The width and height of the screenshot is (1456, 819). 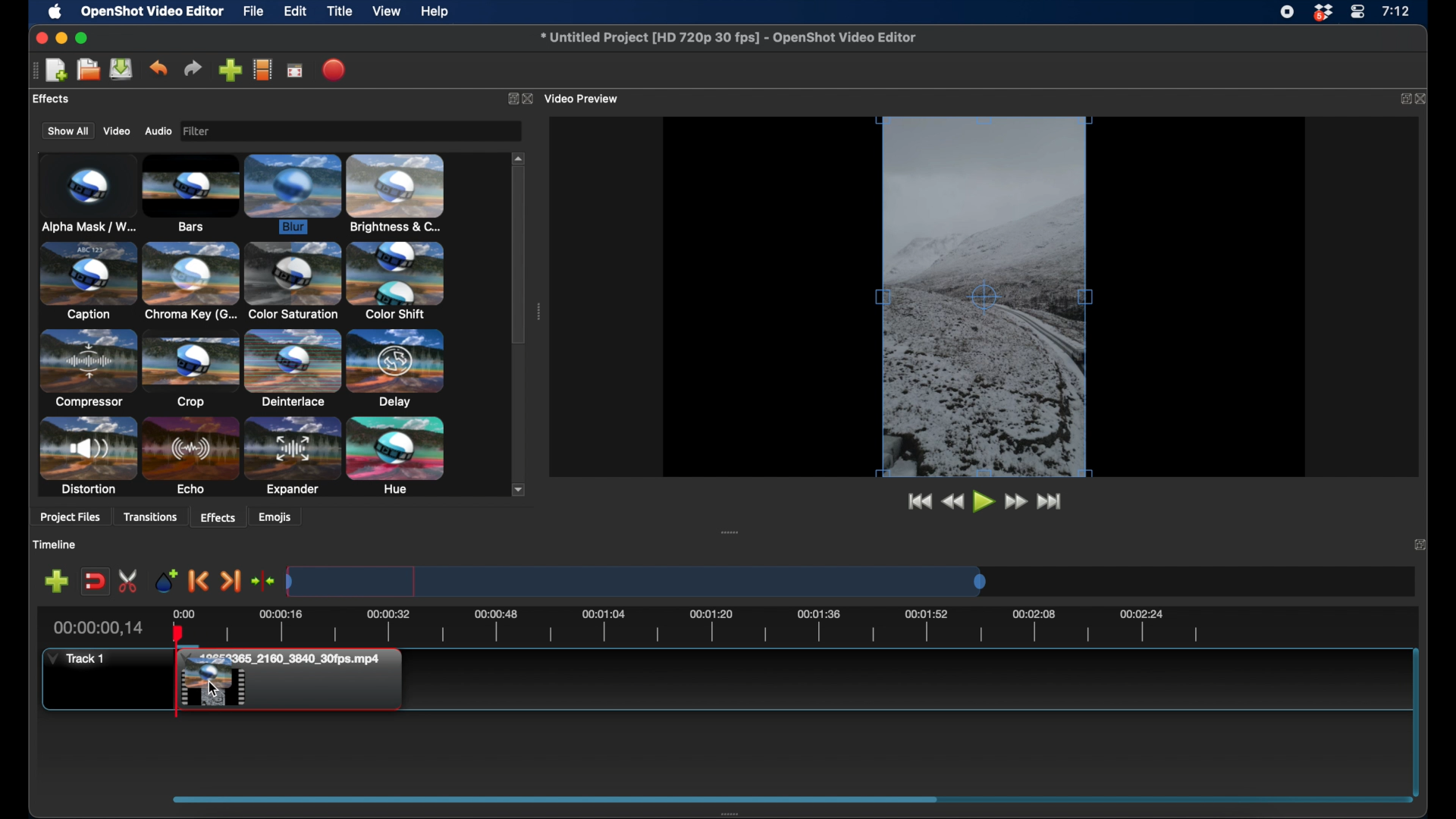 What do you see at coordinates (707, 629) in the screenshot?
I see `timeline` at bounding box center [707, 629].